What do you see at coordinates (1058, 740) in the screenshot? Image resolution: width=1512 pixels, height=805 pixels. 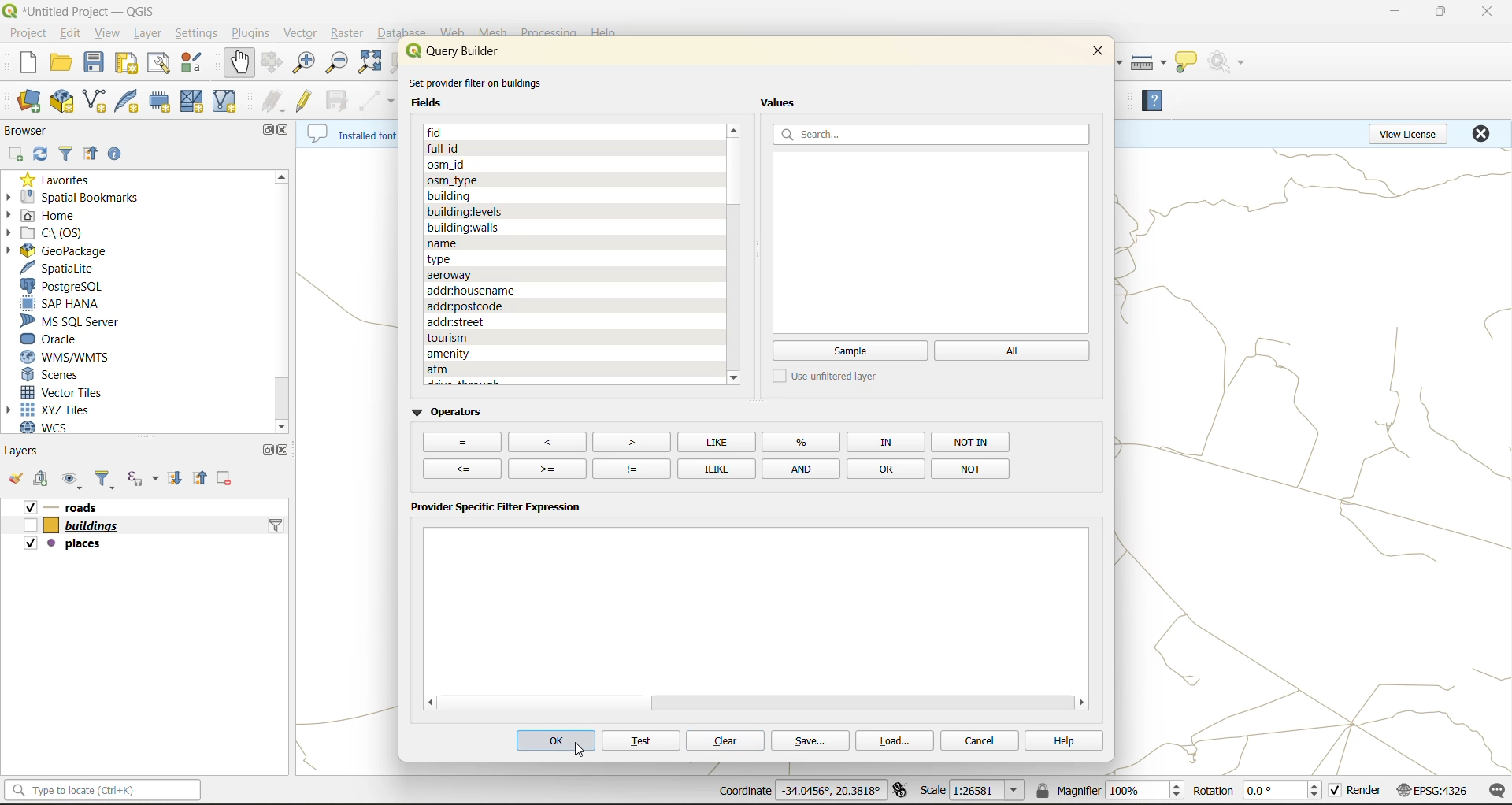 I see `help` at bounding box center [1058, 740].